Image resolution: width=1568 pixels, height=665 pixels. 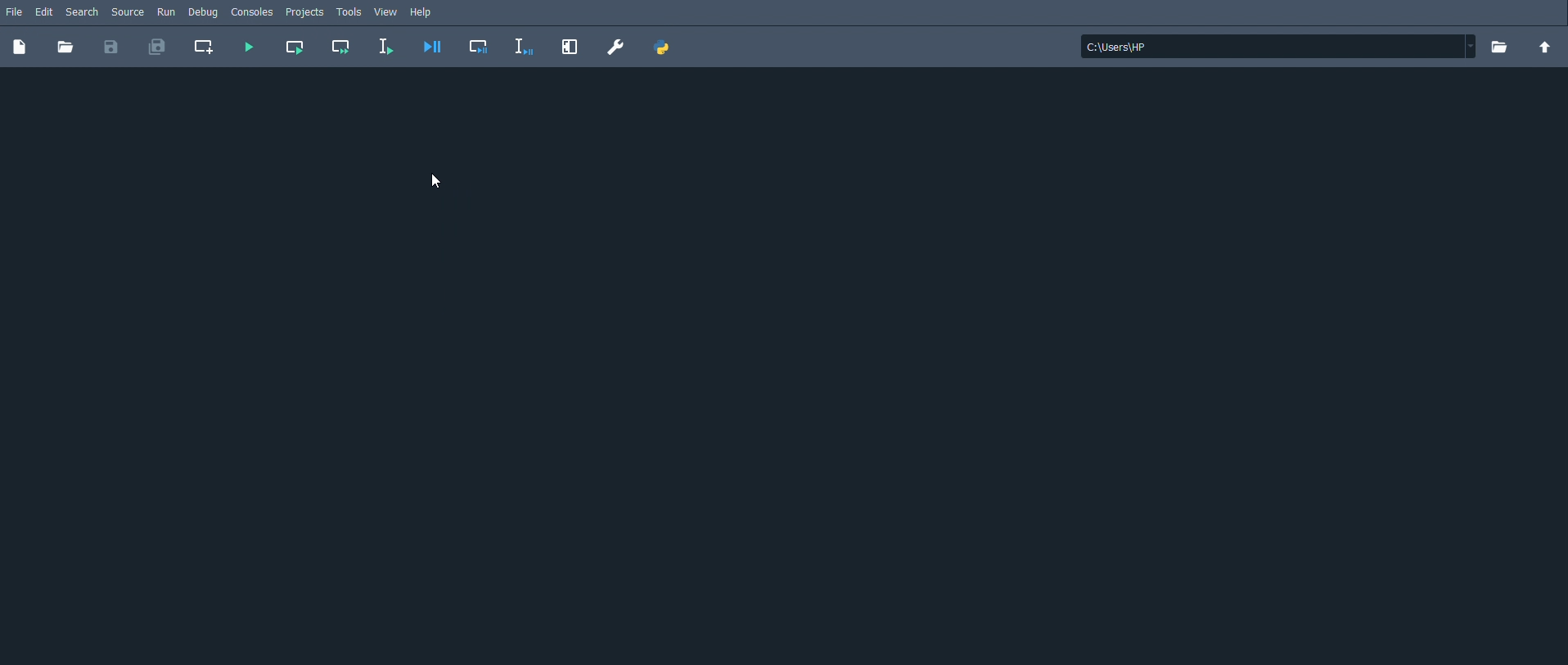 What do you see at coordinates (480, 47) in the screenshot?
I see `Debug cell` at bounding box center [480, 47].